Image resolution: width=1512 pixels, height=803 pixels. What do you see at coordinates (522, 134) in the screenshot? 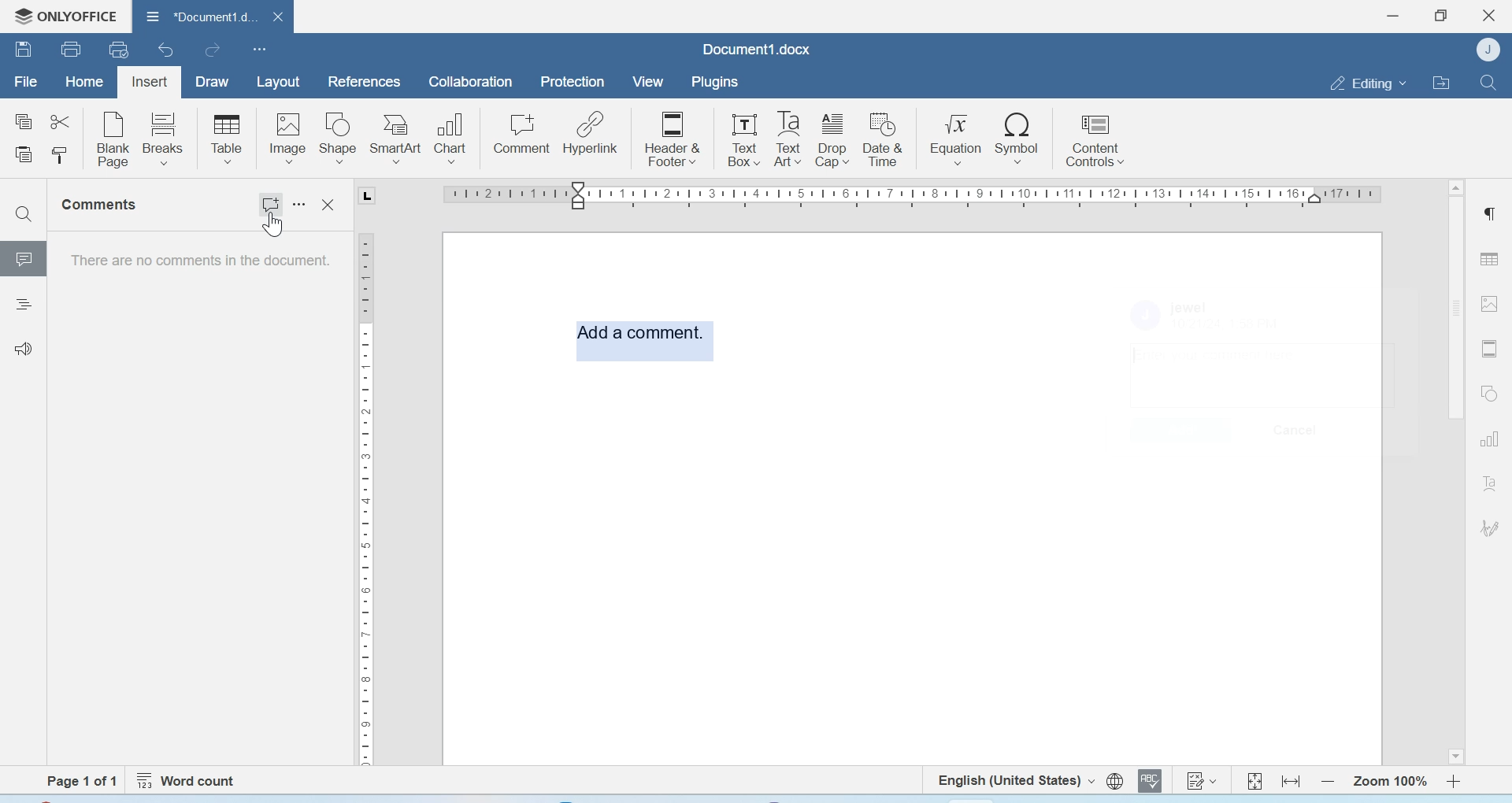
I see `Comment` at bounding box center [522, 134].